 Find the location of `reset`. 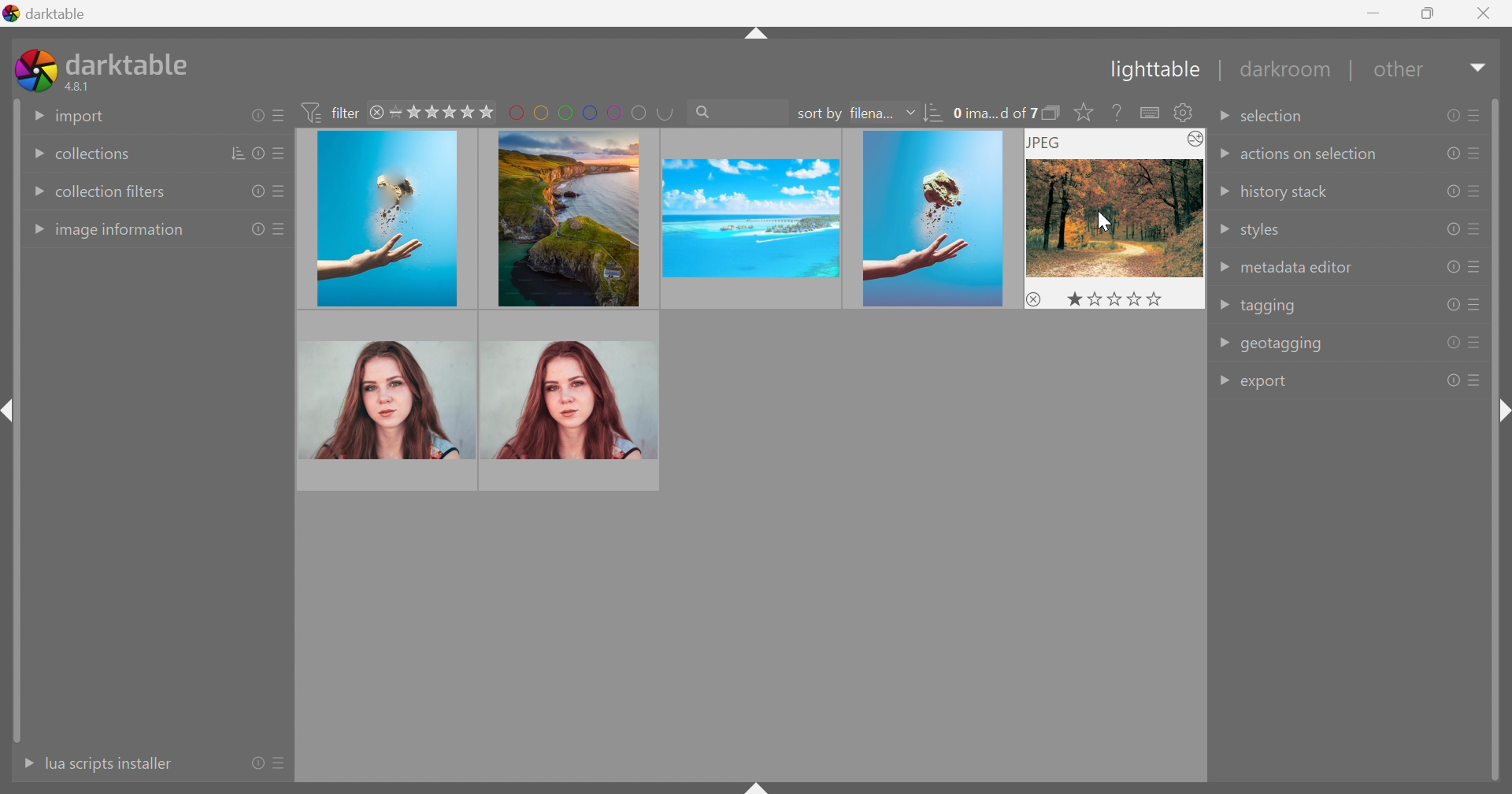

reset is located at coordinates (258, 762).